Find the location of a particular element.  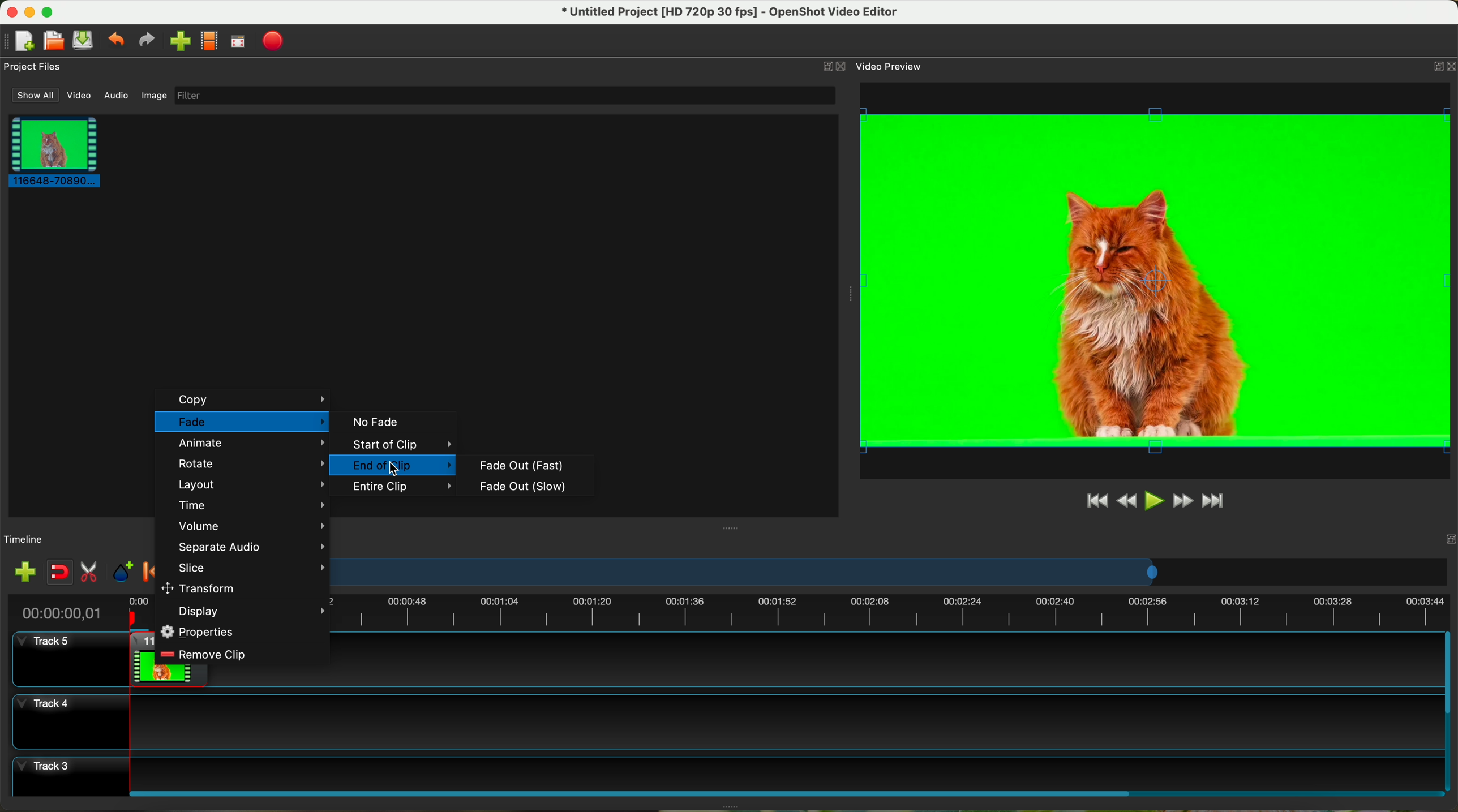

rotate is located at coordinates (250, 463).